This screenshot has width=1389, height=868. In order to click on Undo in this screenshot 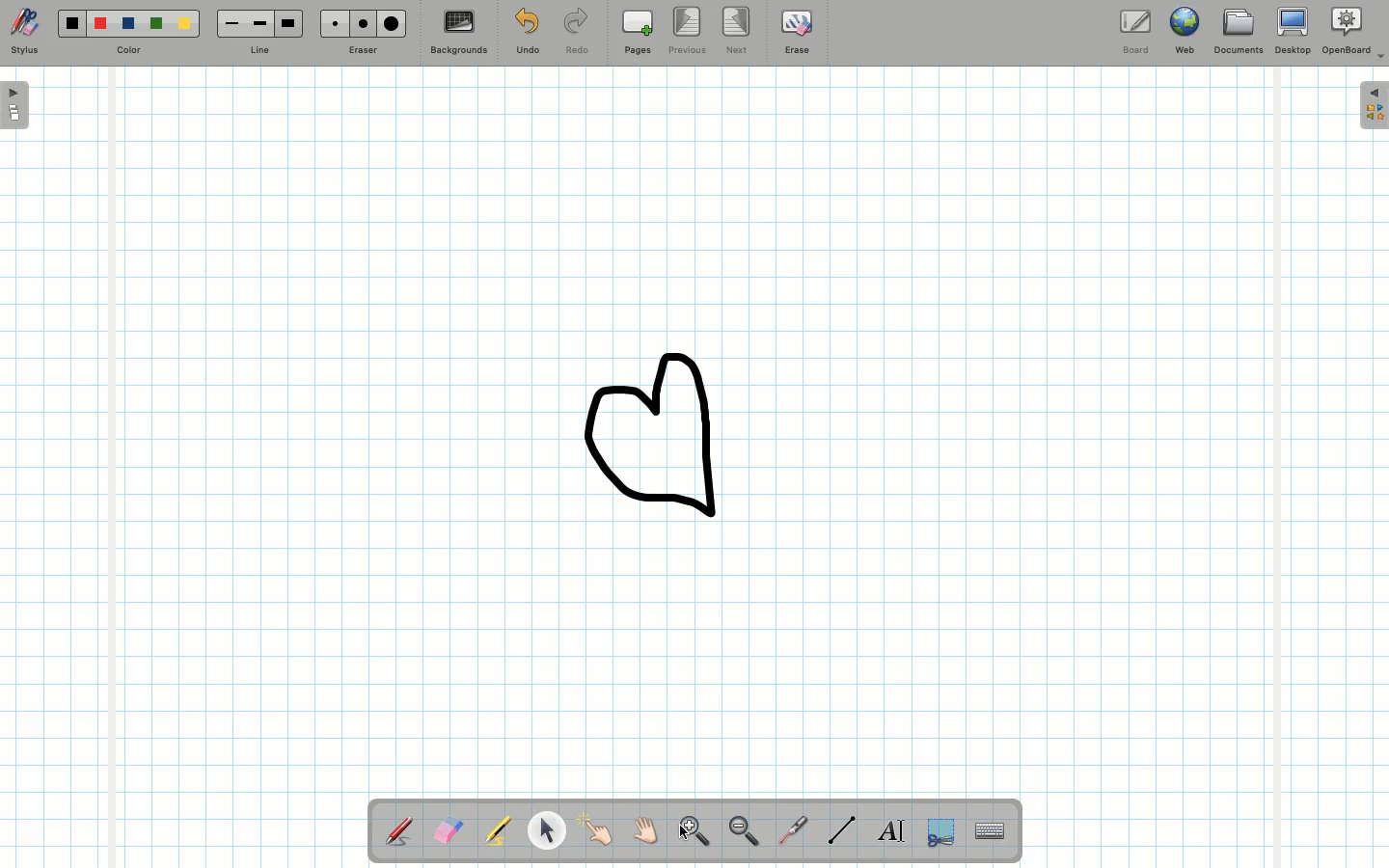, I will do `click(528, 33)`.